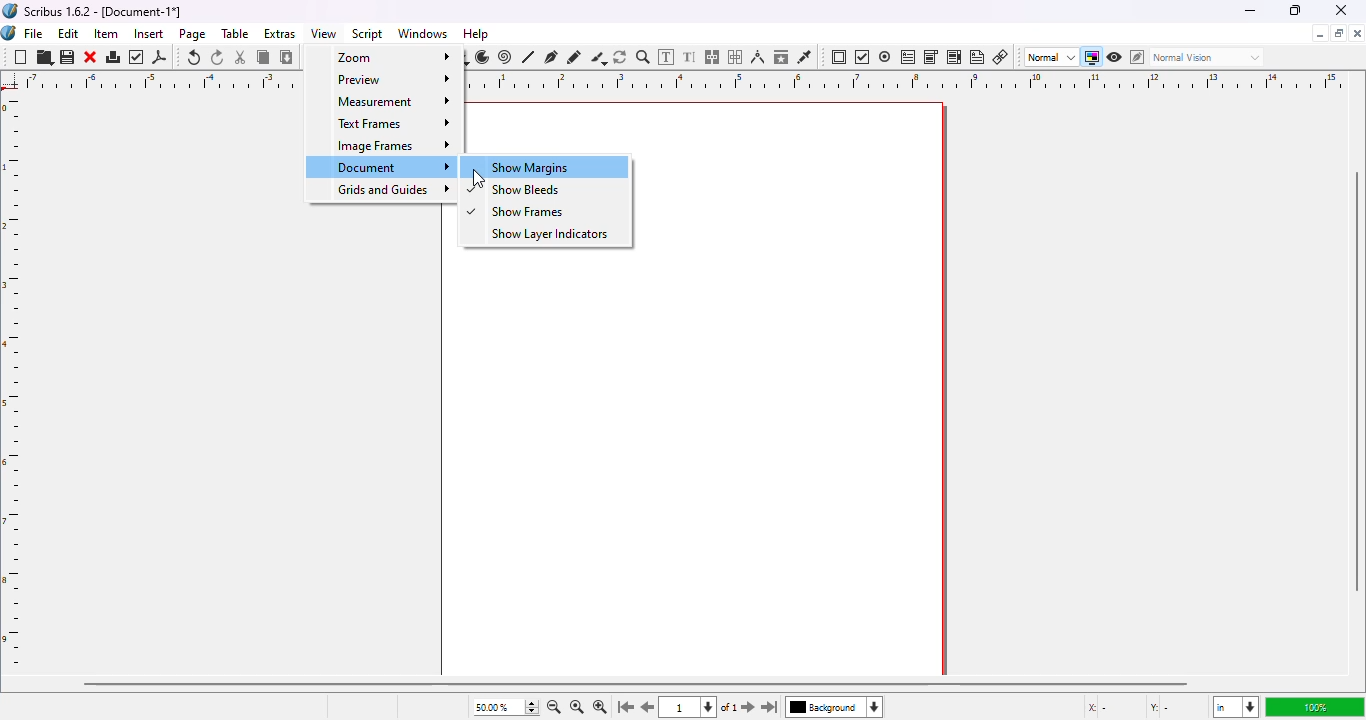  I want to click on show frames, so click(542, 213).